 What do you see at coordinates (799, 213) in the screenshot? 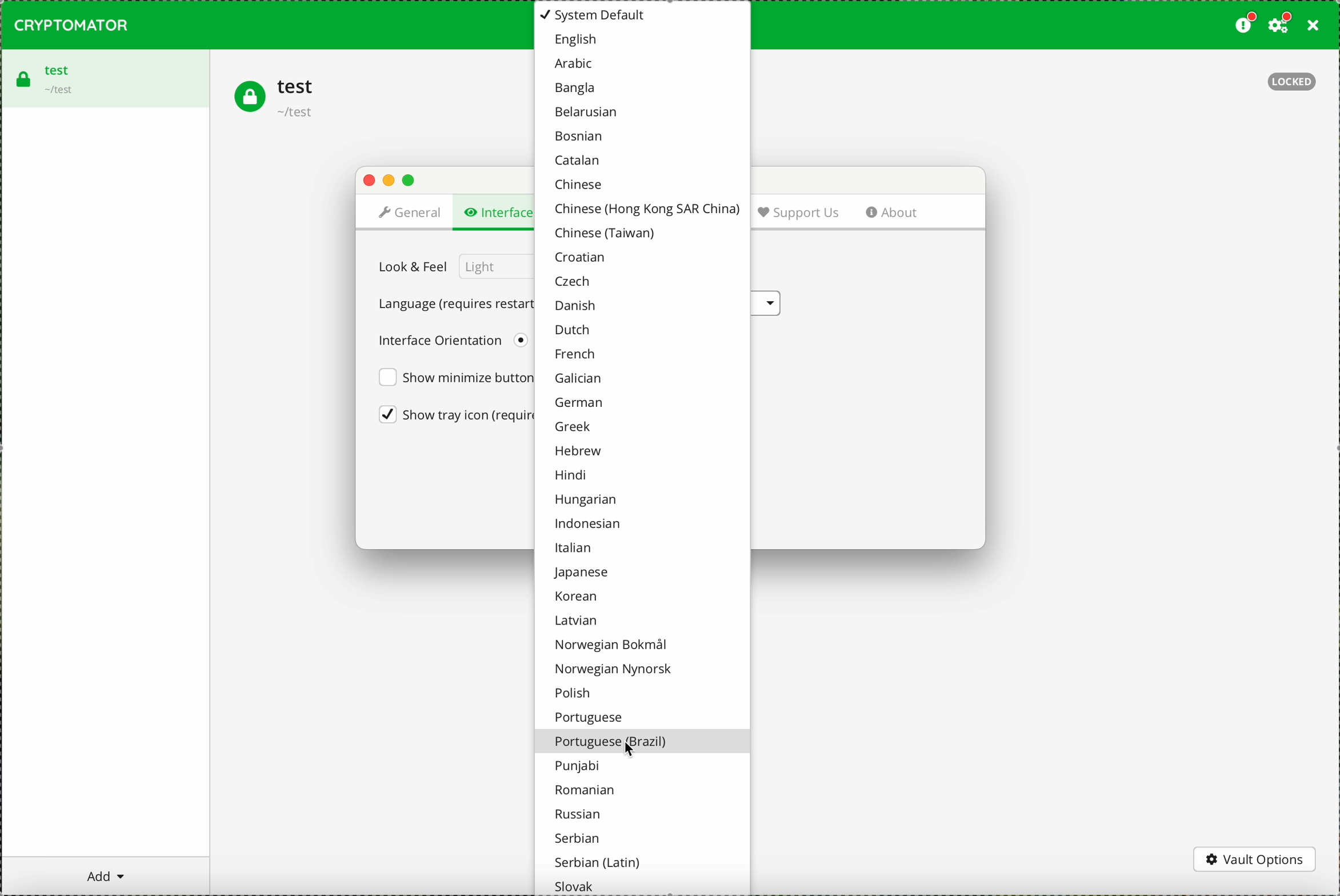
I see `support us` at bounding box center [799, 213].